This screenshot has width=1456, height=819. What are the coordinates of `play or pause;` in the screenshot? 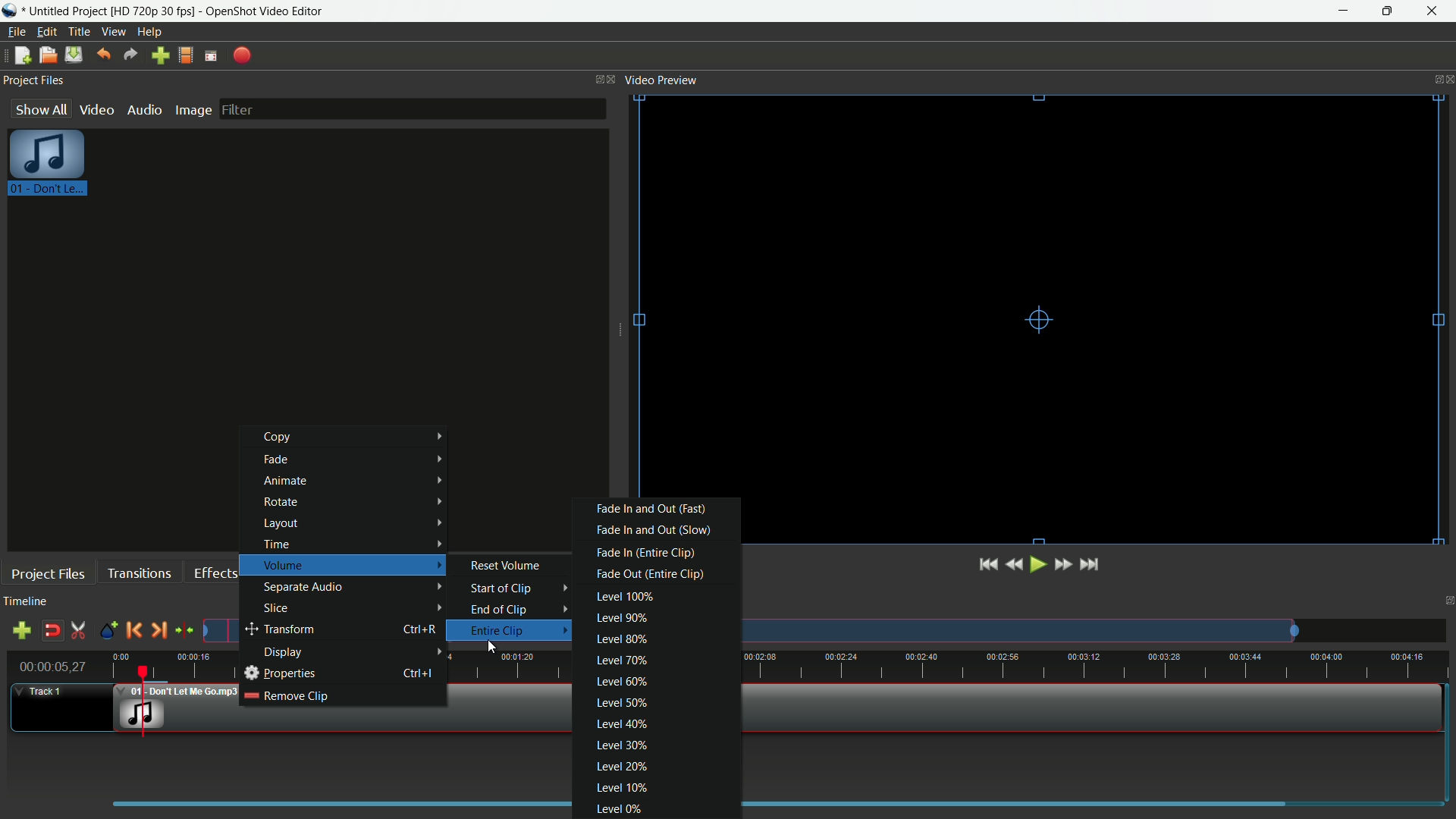 It's located at (1040, 565).